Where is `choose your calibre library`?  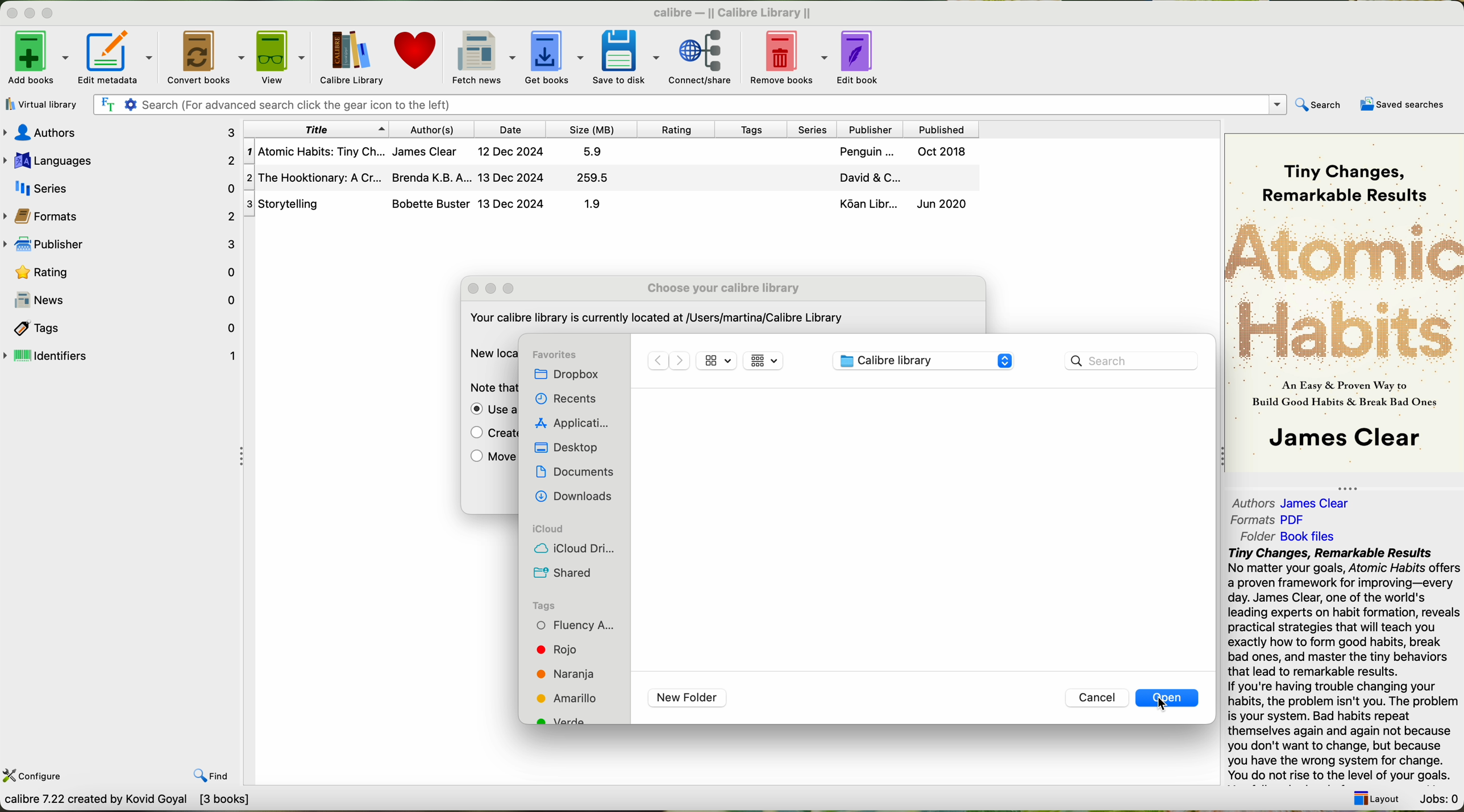
choose your calibre library is located at coordinates (723, 288).